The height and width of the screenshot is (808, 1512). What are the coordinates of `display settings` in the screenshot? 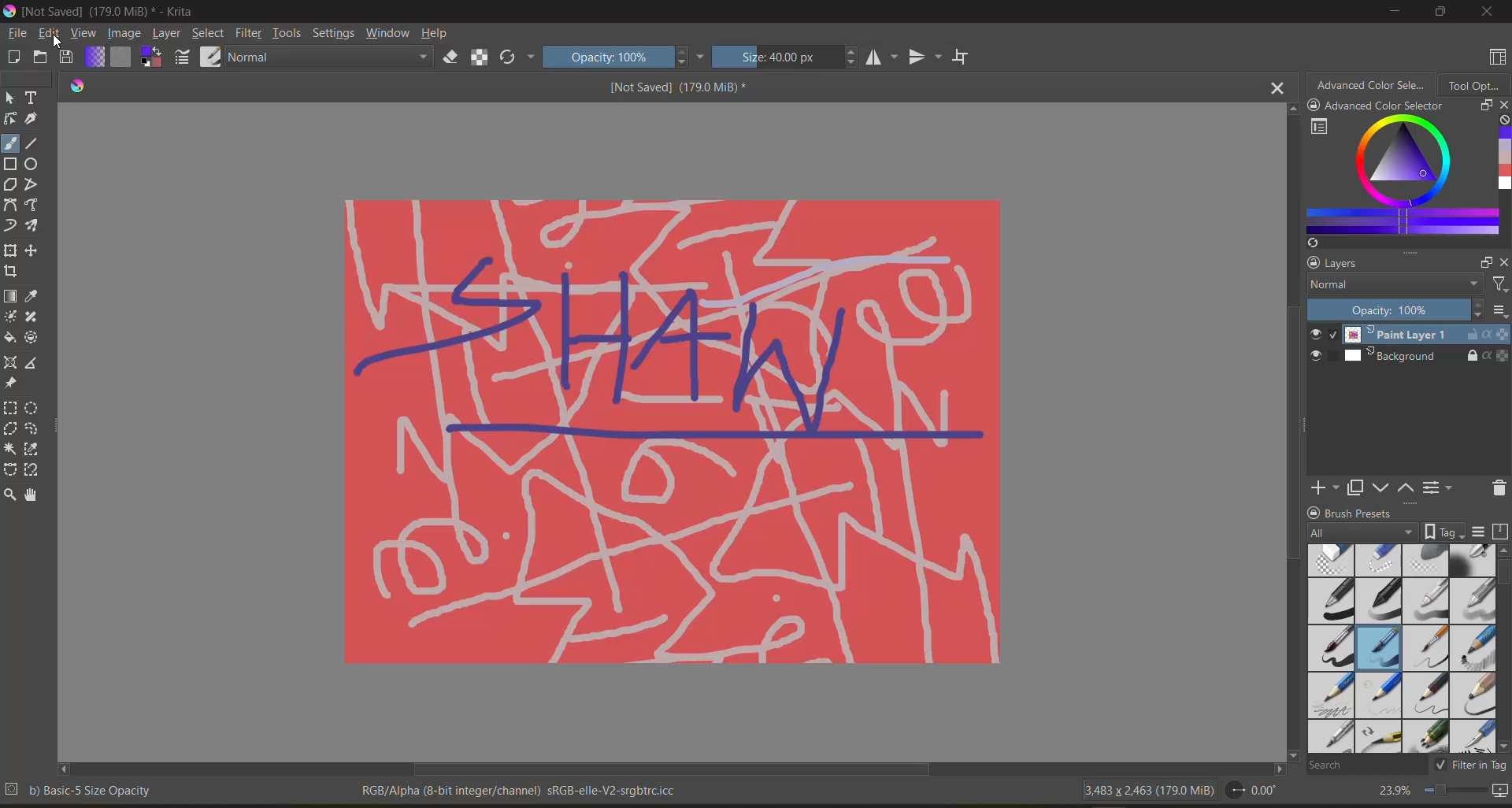 It's located at (1481, 534).